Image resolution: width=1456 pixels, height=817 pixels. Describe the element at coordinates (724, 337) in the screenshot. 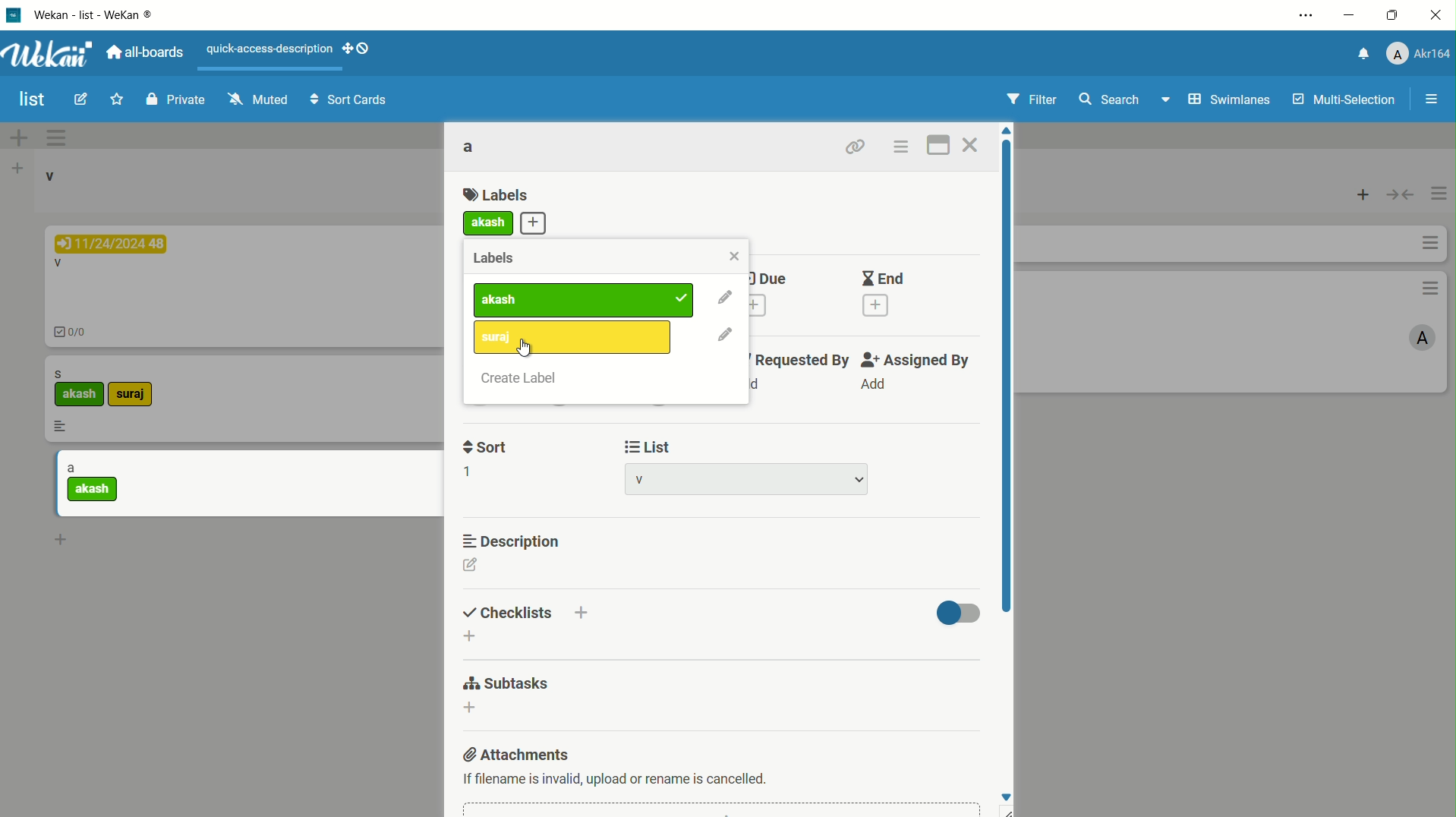

I see `edit` at that location.